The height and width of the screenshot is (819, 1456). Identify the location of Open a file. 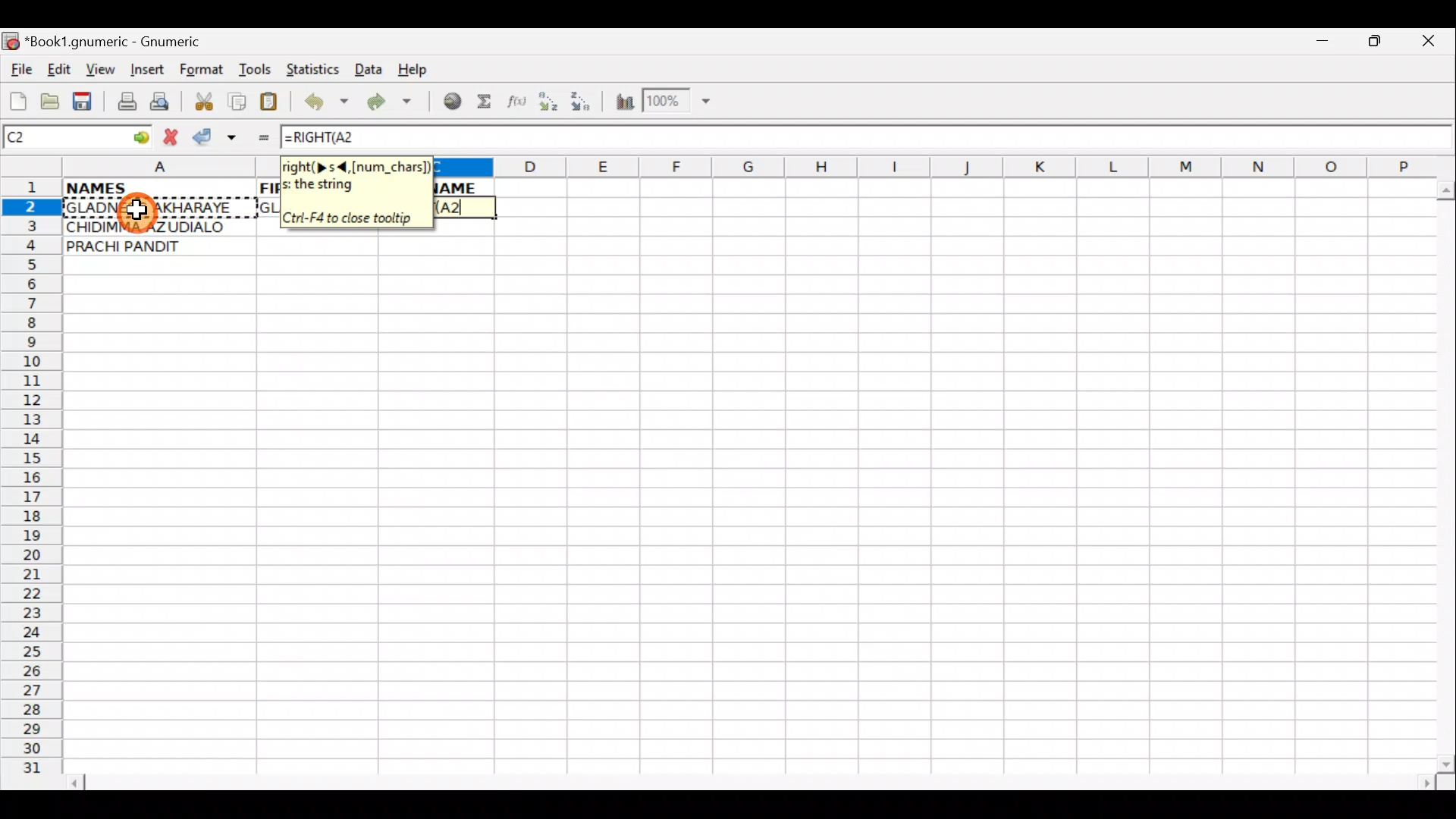
(53, 99).